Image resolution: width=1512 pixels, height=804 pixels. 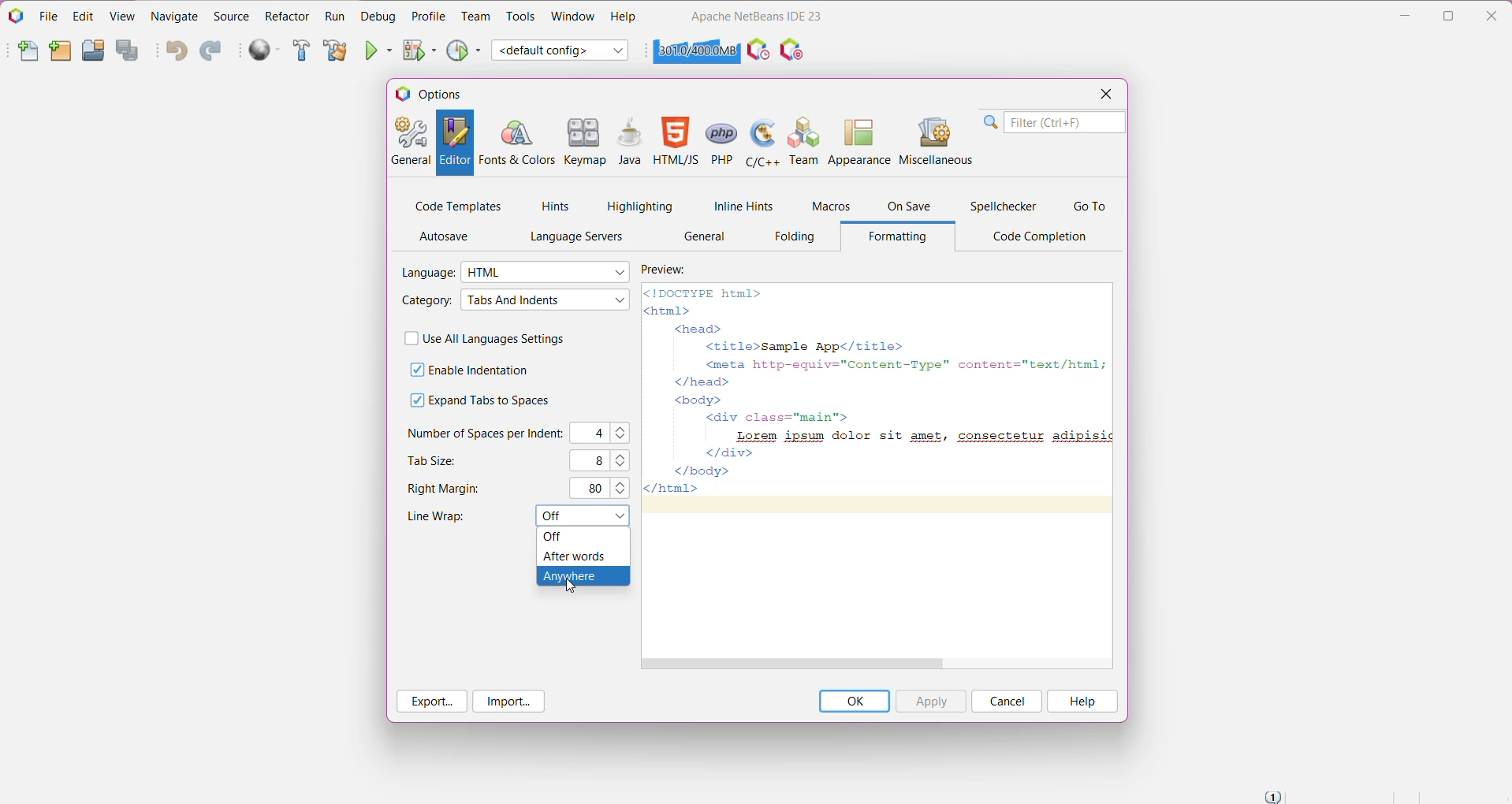 What do you see at coordinates (877, 664) in the screenshot?
I see `Horizontal Scroll Bar` at bounding box center [877, 664].